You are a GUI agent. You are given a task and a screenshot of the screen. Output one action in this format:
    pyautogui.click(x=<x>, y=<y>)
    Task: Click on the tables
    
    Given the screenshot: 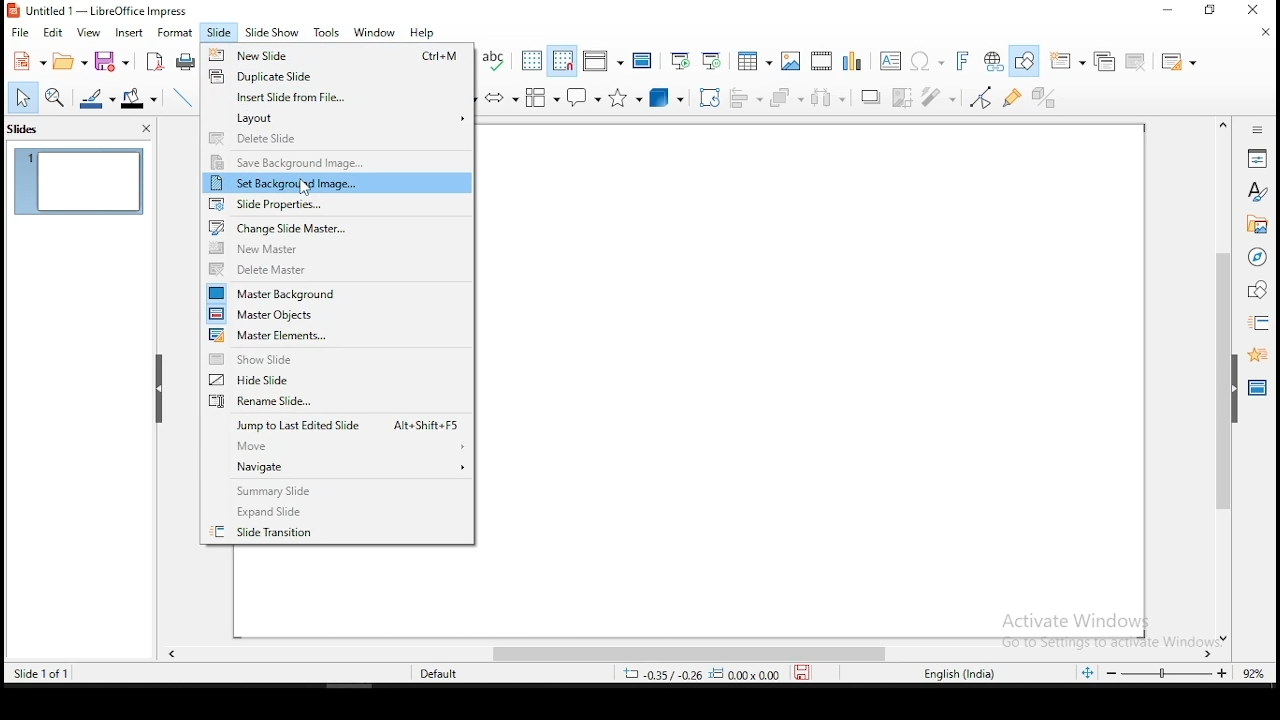 What is the action you would take?
    pyautogui.click(x=754, y=59)
    